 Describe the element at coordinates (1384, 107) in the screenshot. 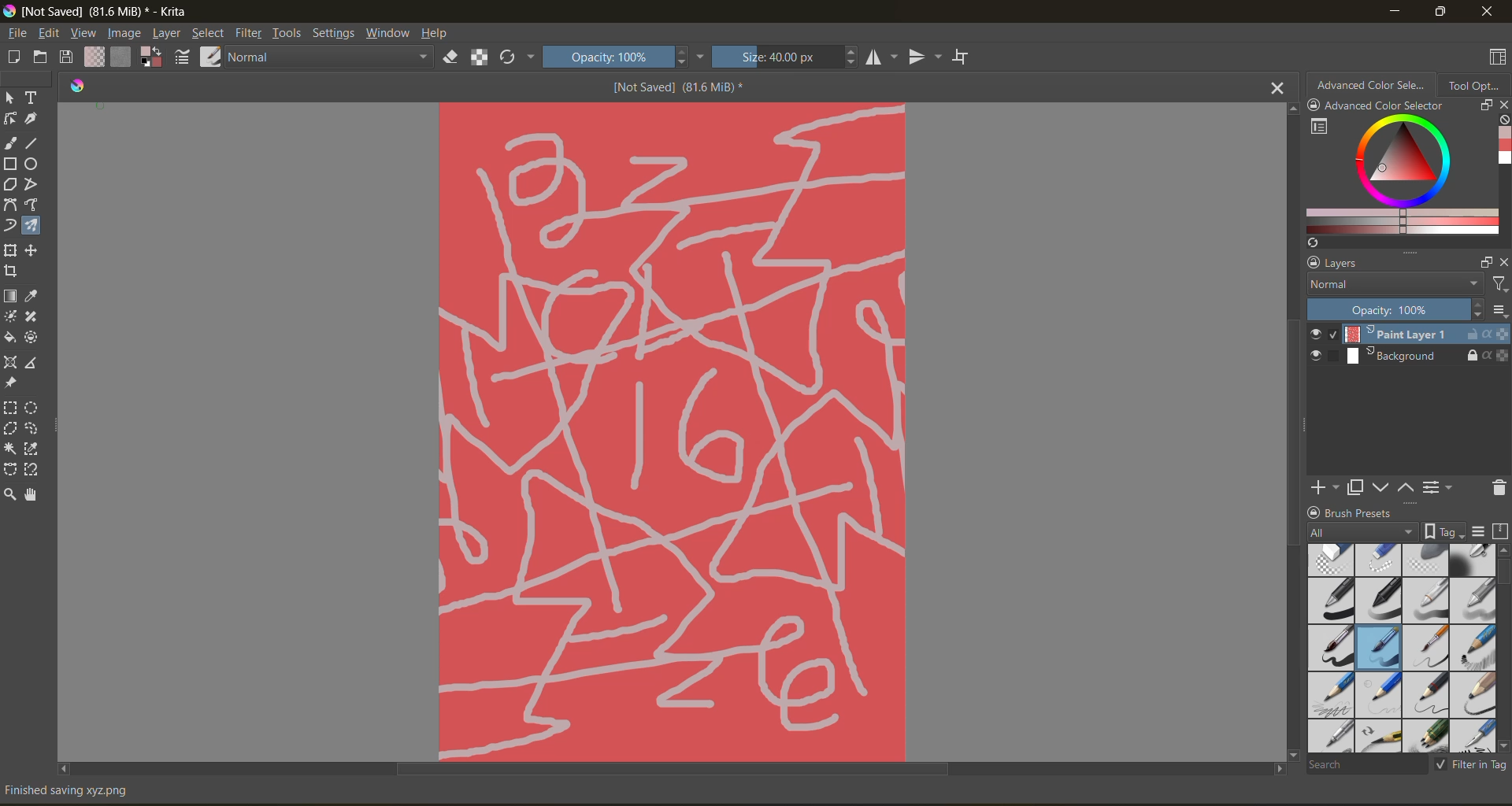

I see `Advanced color selector` at that location.